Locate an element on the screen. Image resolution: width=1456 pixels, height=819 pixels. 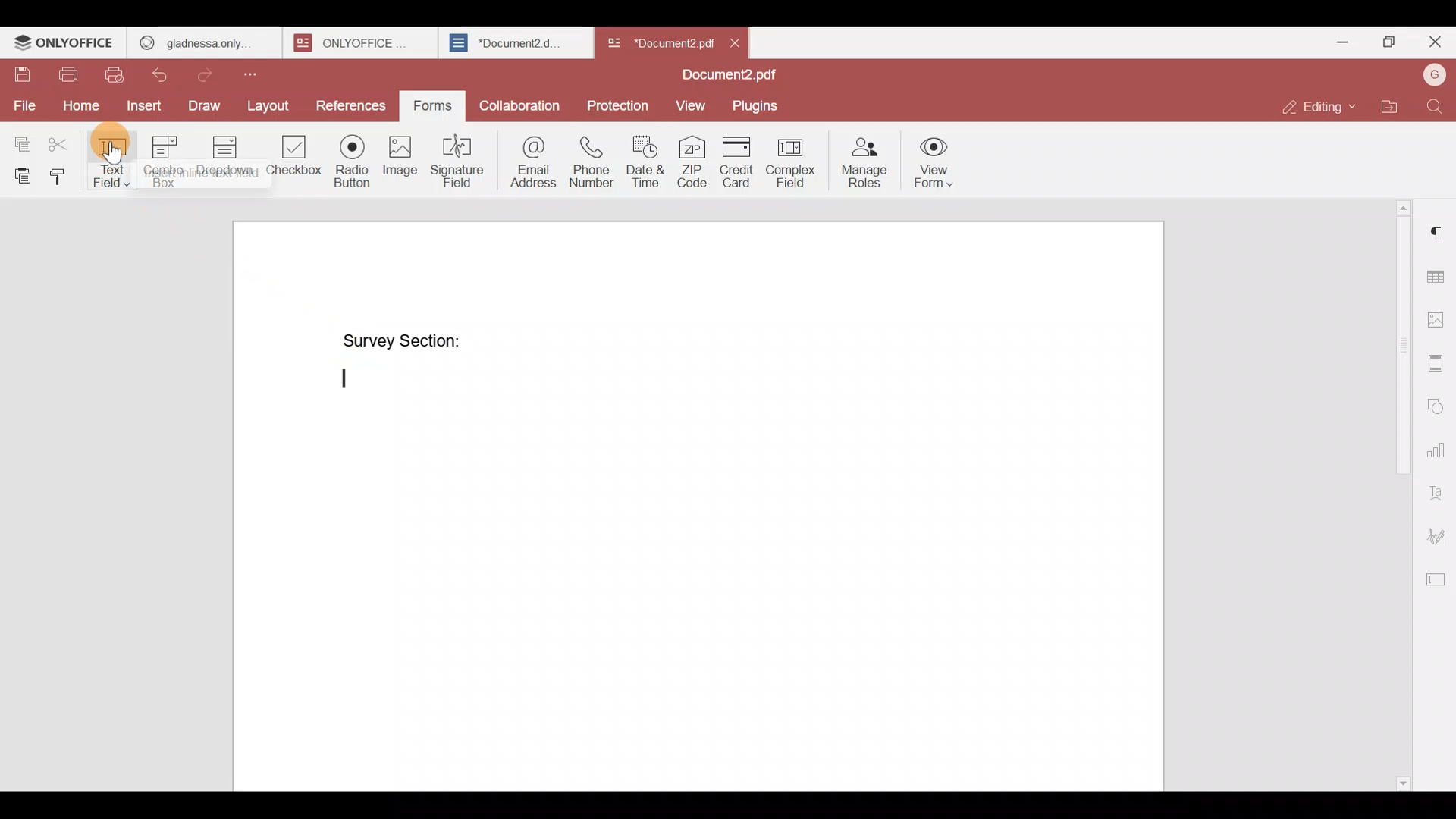
Shapes settings is located at coordinates (1439, 406).